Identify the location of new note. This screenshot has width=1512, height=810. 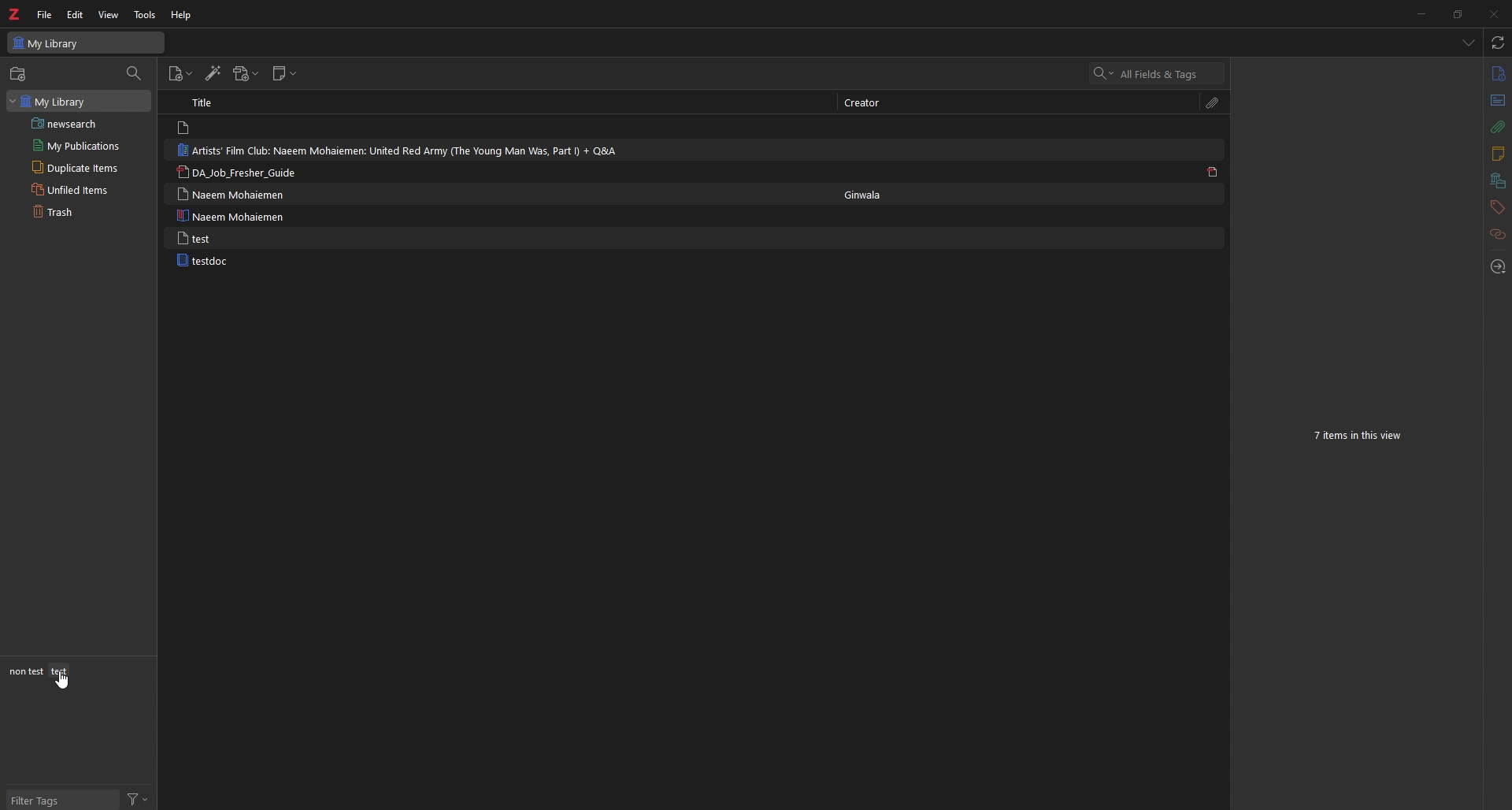
(284, 74).